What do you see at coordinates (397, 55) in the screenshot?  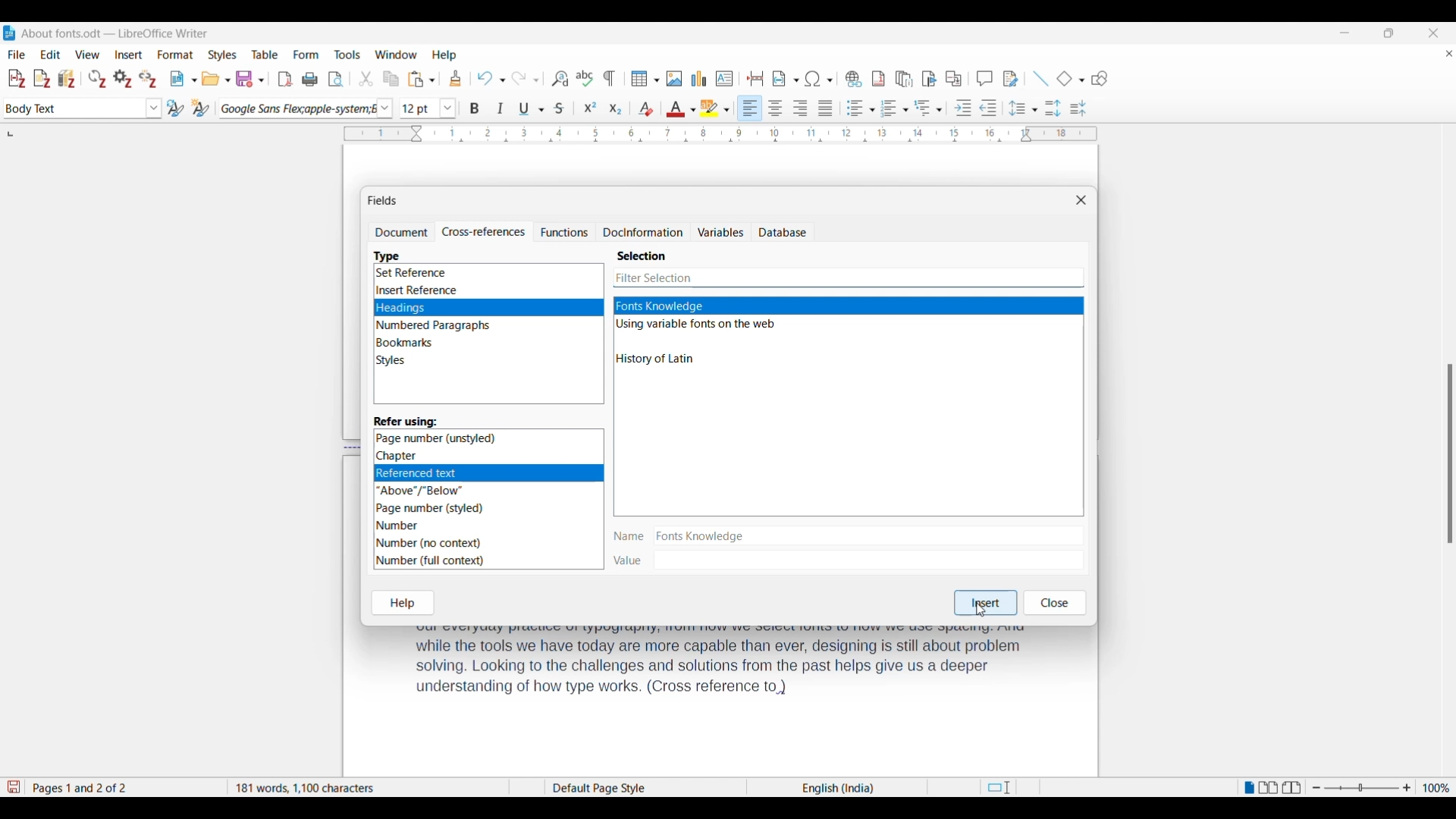 I see `Window menu` at bounding box center [397, 55].